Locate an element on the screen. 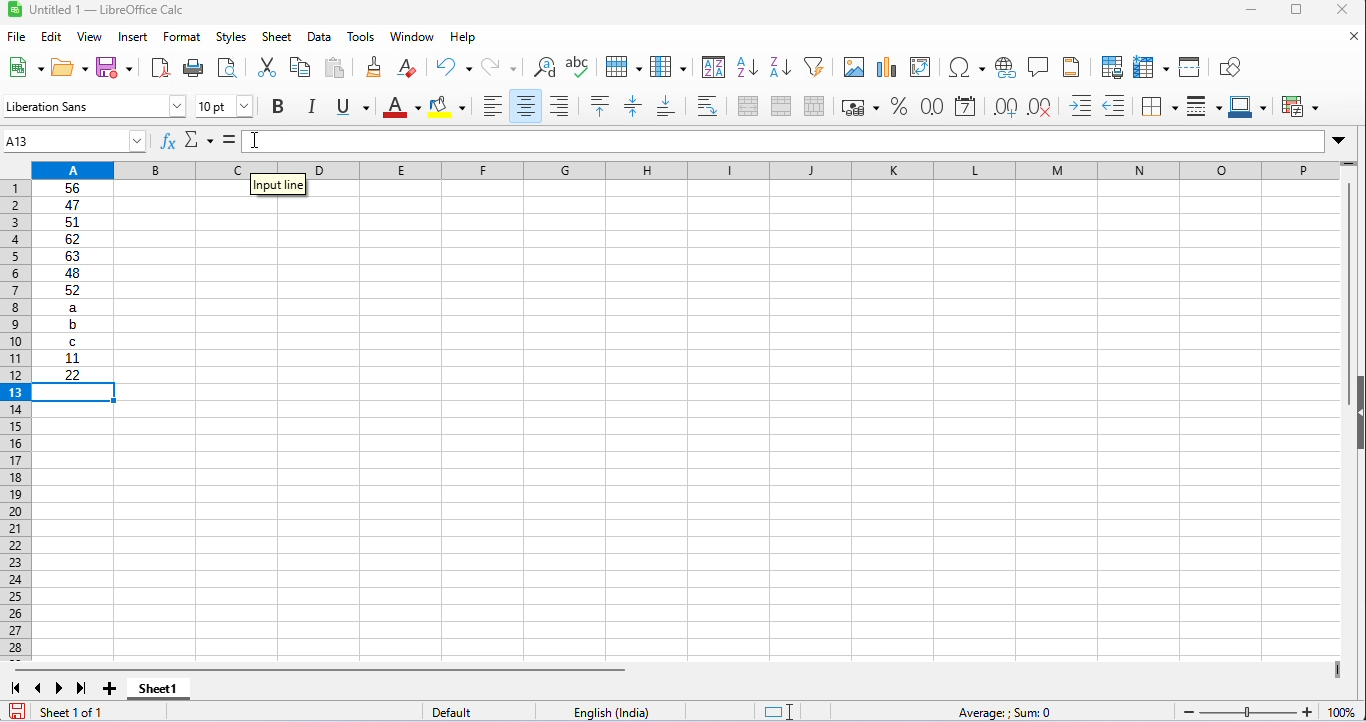  sort is located at coordinates (714, 67).